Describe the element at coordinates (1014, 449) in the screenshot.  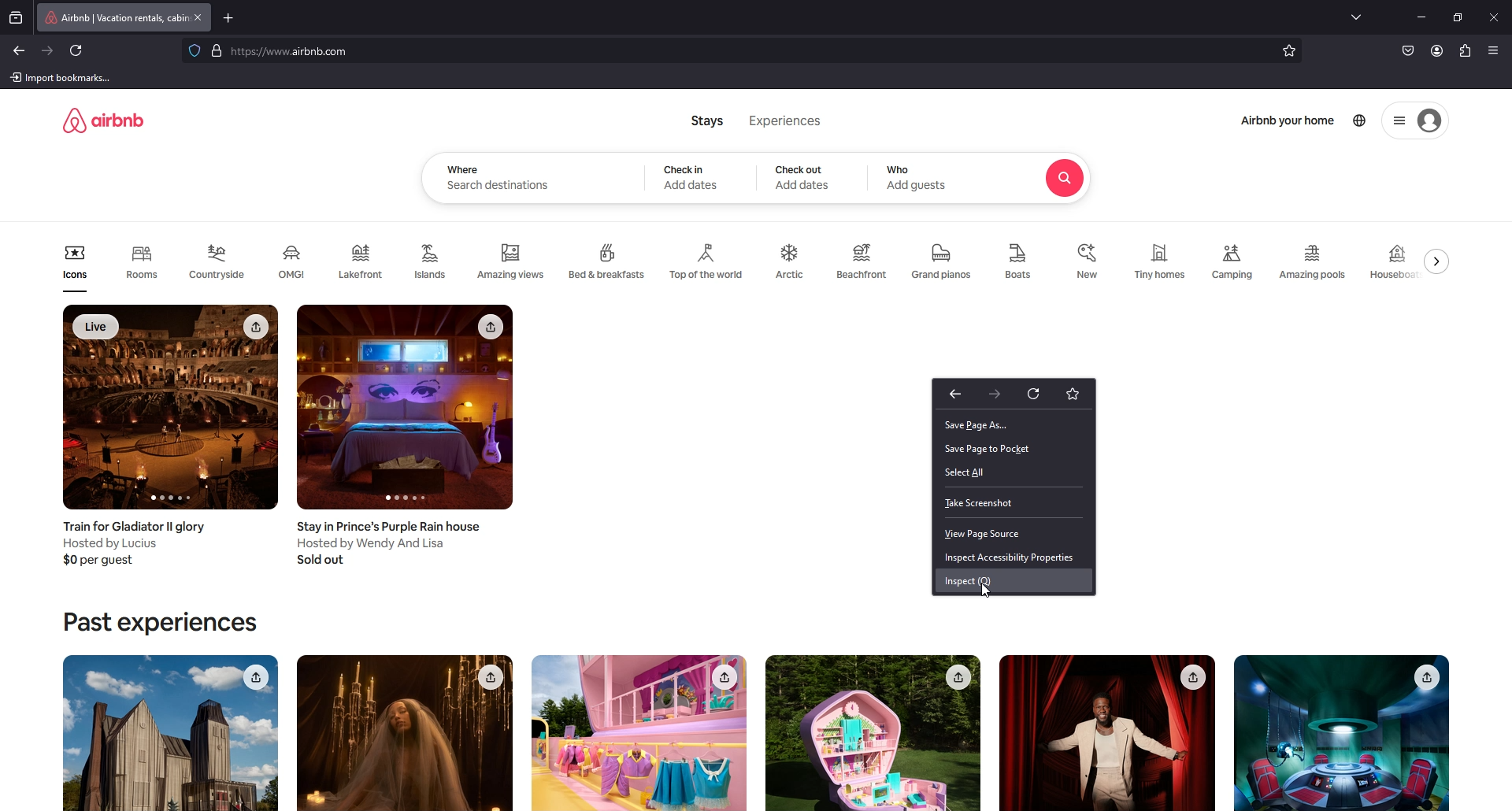
I see `save page to pocket` at that location.